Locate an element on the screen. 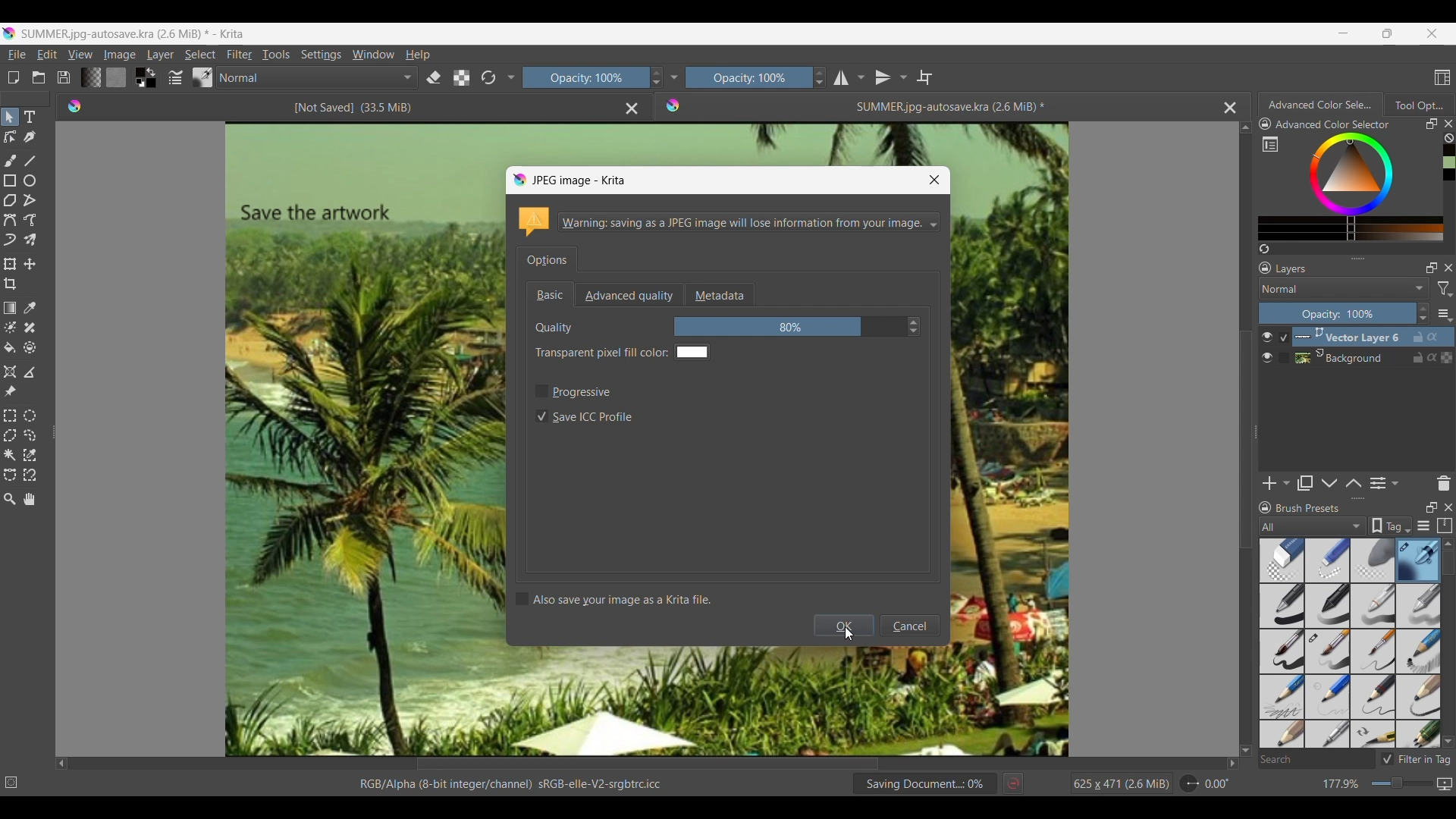 This screenshot has width=1456, height=819. Rectangular selection tool is located at coordinates (9, 416).